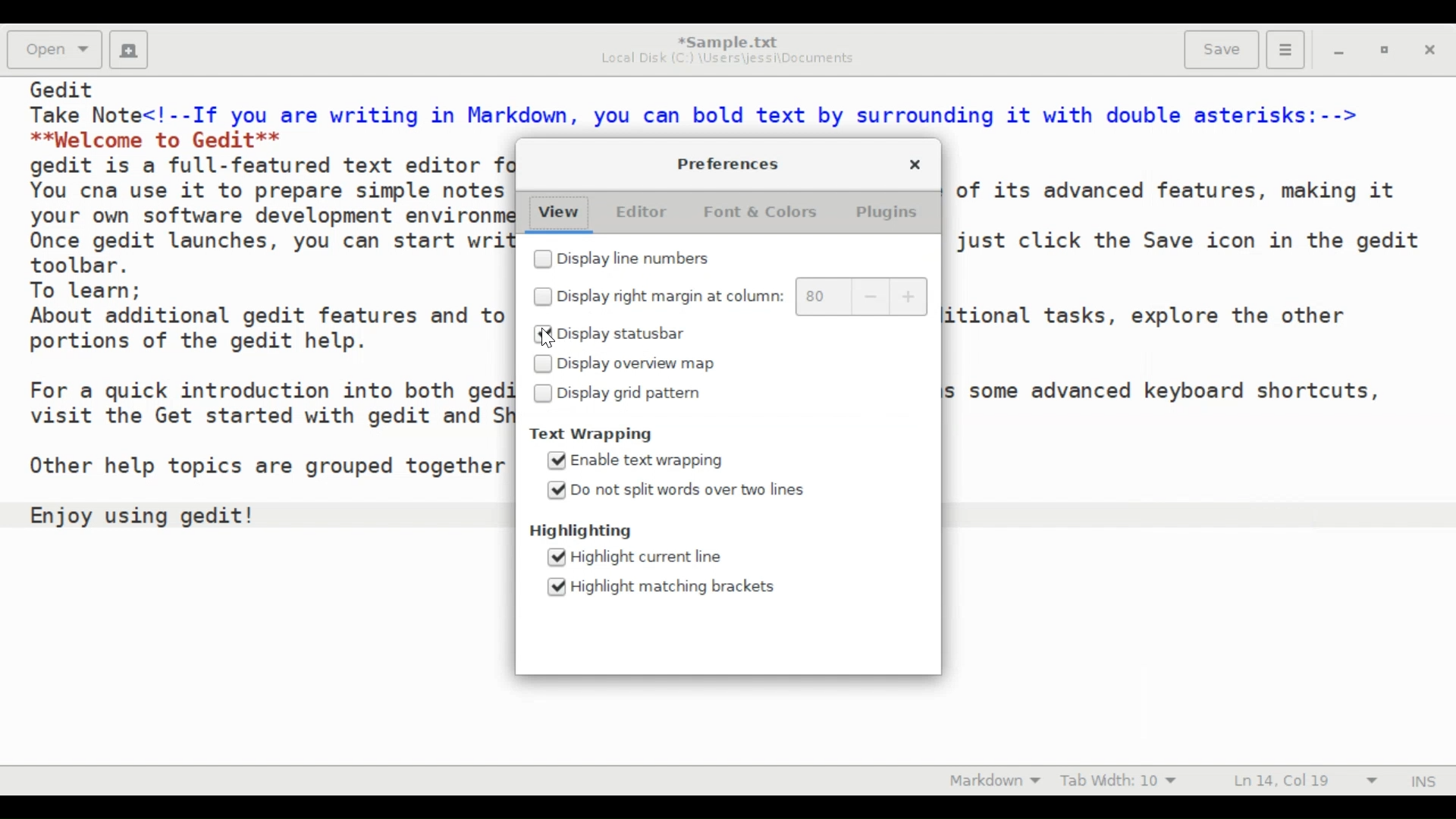 Image resolution: width=1456 pixels, height=819 pixels. I want to click on Local Disk (C:) \Users\jessi\Documents, so click(733, 59).